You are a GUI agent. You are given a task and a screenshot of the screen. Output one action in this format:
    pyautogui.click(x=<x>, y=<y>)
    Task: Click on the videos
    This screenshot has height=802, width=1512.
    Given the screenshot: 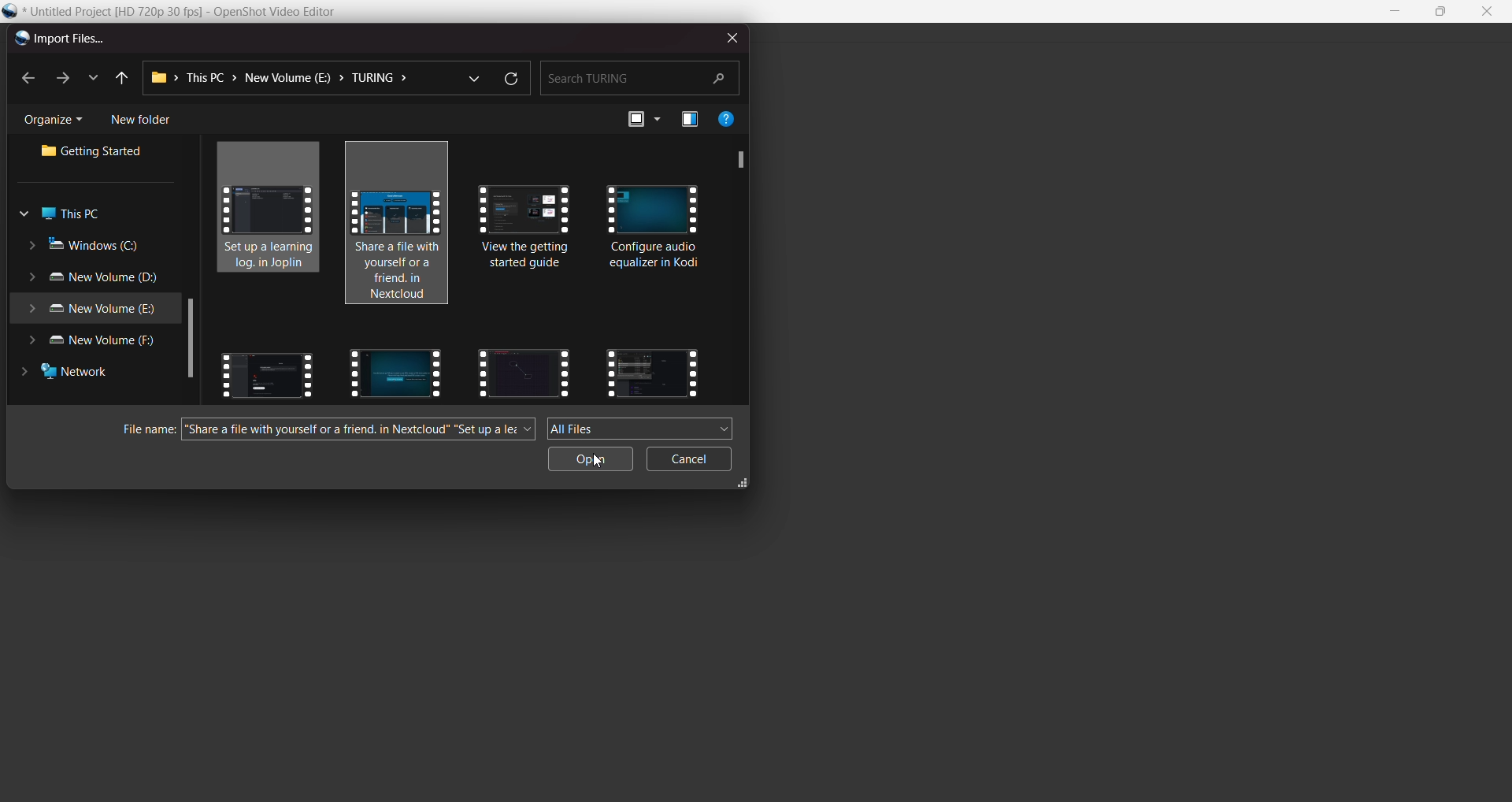 What is the action you would take?
    pyautogui.click(x=654, y=231)
    